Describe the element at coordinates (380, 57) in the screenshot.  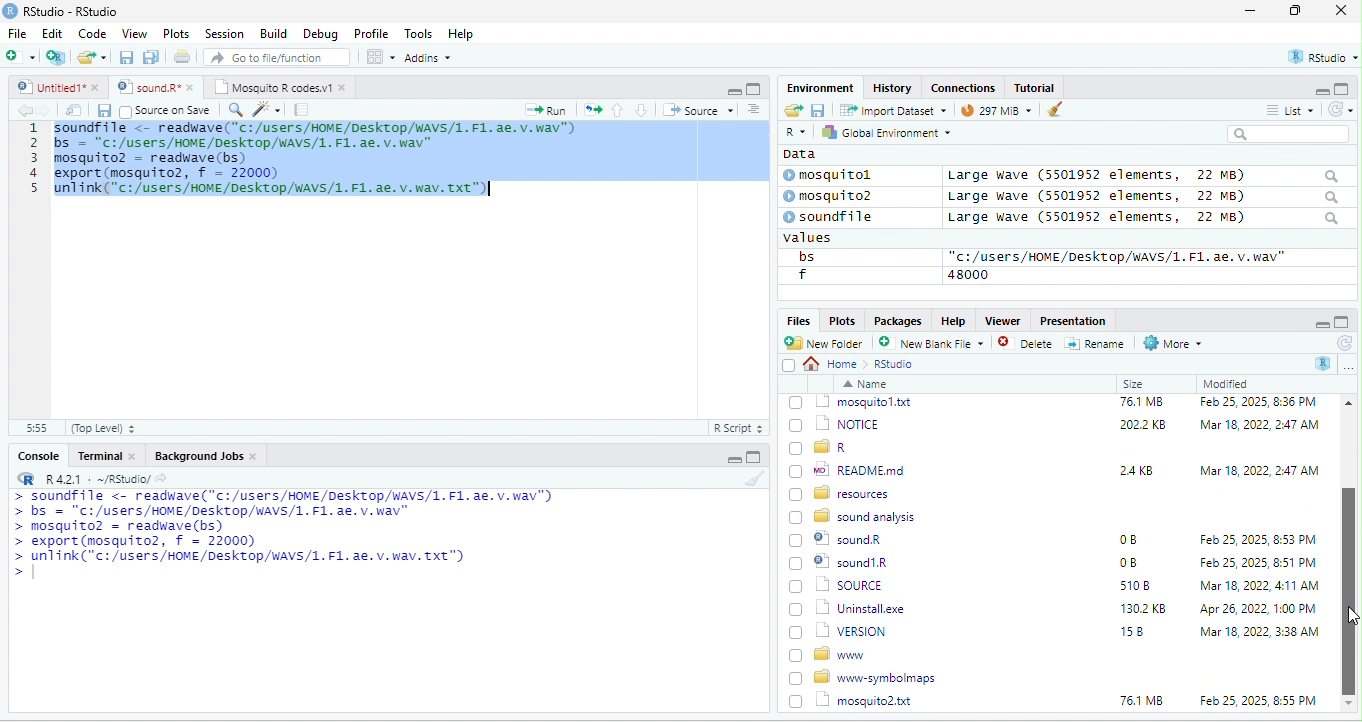
I see `view` at that location.